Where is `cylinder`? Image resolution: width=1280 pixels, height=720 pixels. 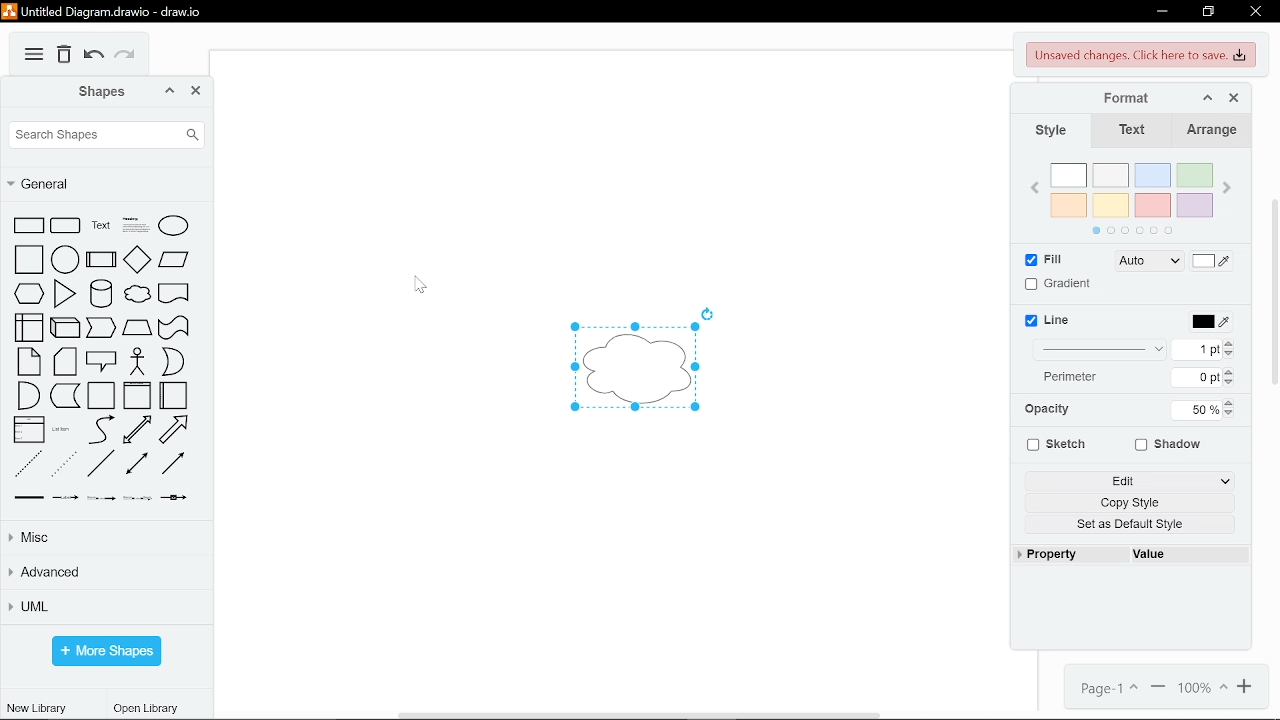
cylinder is located at coordinates (100, 294).